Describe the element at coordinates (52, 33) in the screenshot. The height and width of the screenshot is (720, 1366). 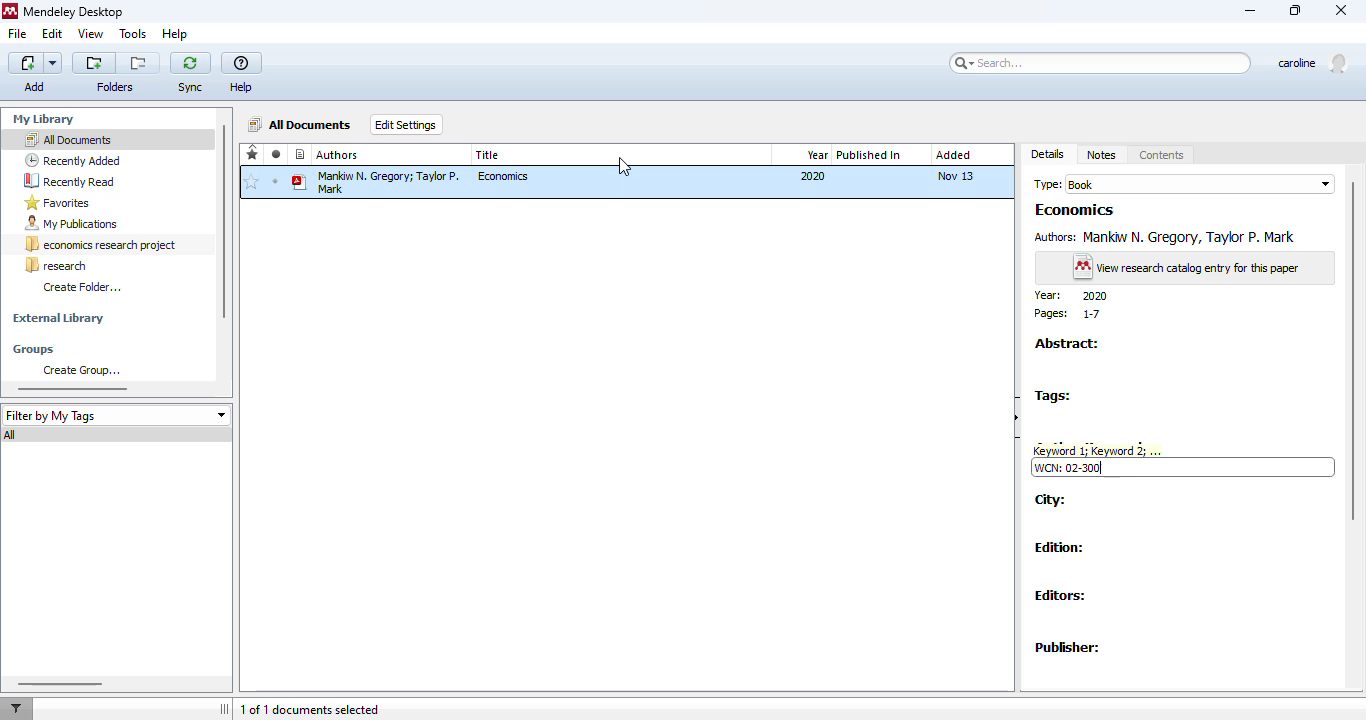
I see `edit` at that location.